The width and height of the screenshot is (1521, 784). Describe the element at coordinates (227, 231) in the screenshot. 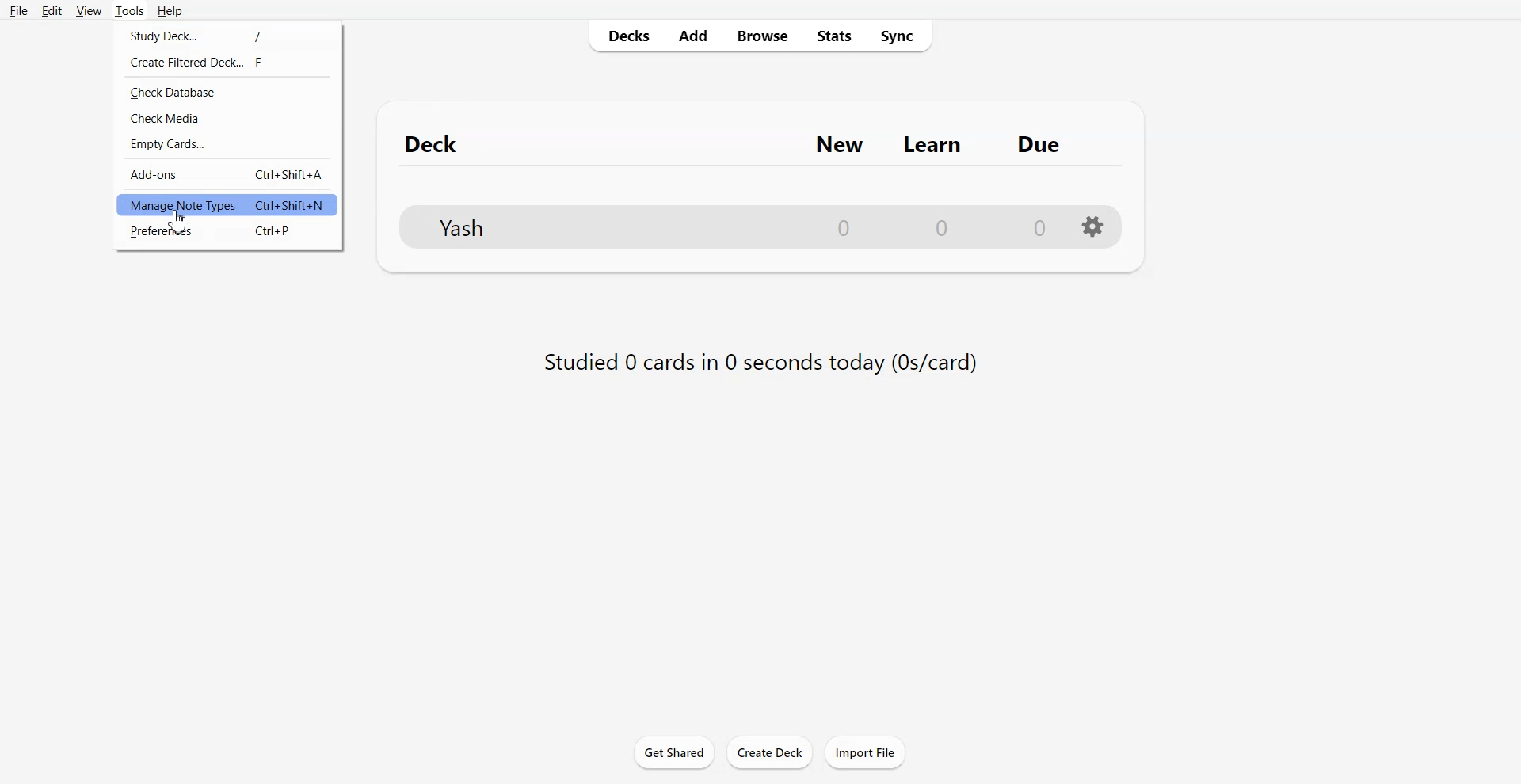

I see `Preferences` at that location.